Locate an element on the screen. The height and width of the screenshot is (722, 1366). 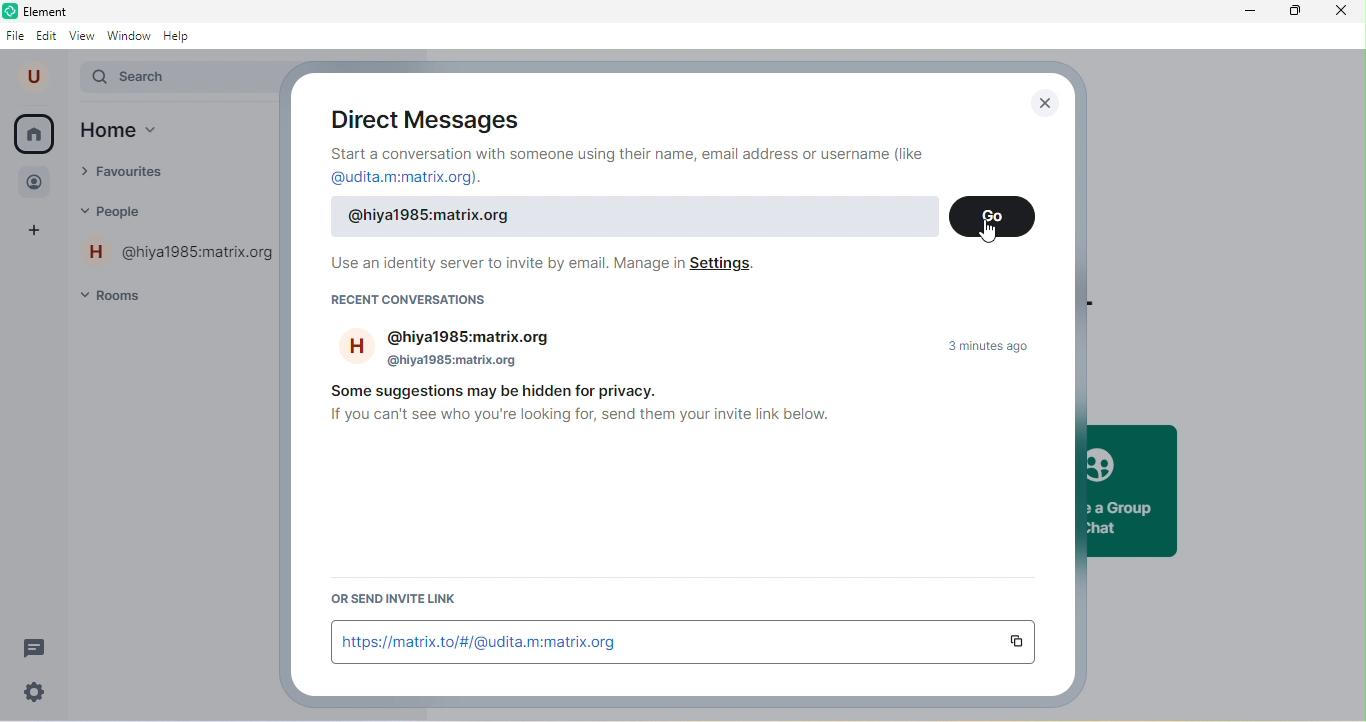
use an identity server to invite by email. manage in settings is located at coordinates (541, 266).